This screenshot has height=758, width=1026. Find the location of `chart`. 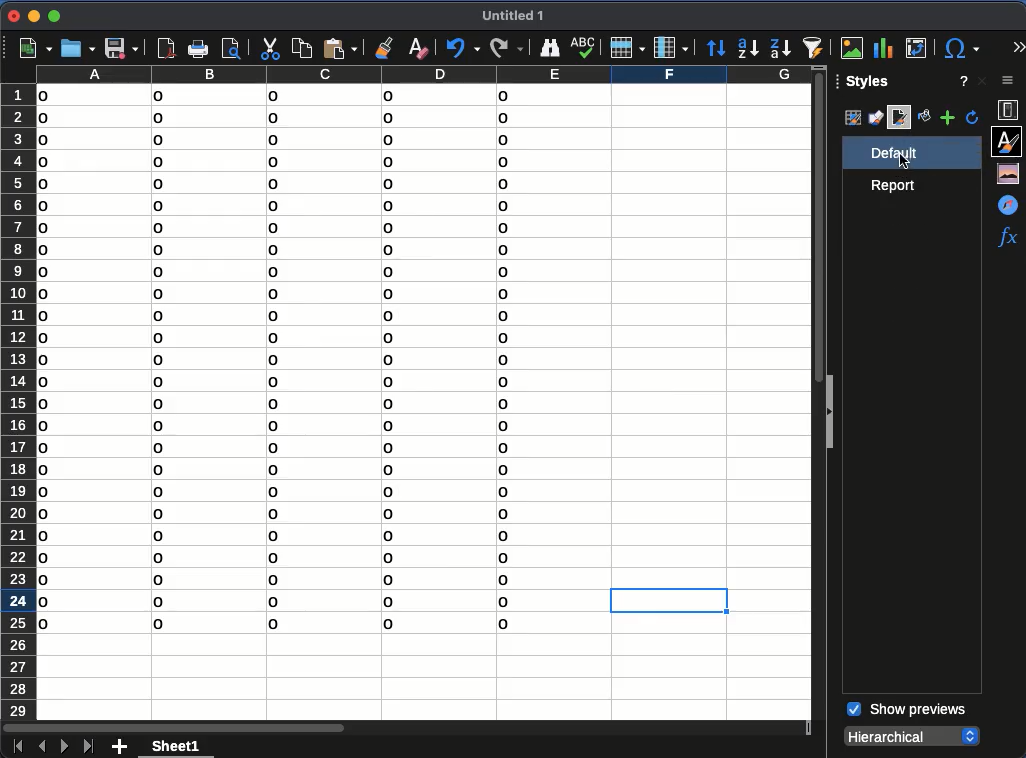

chart is located at coordinates (882, 47).